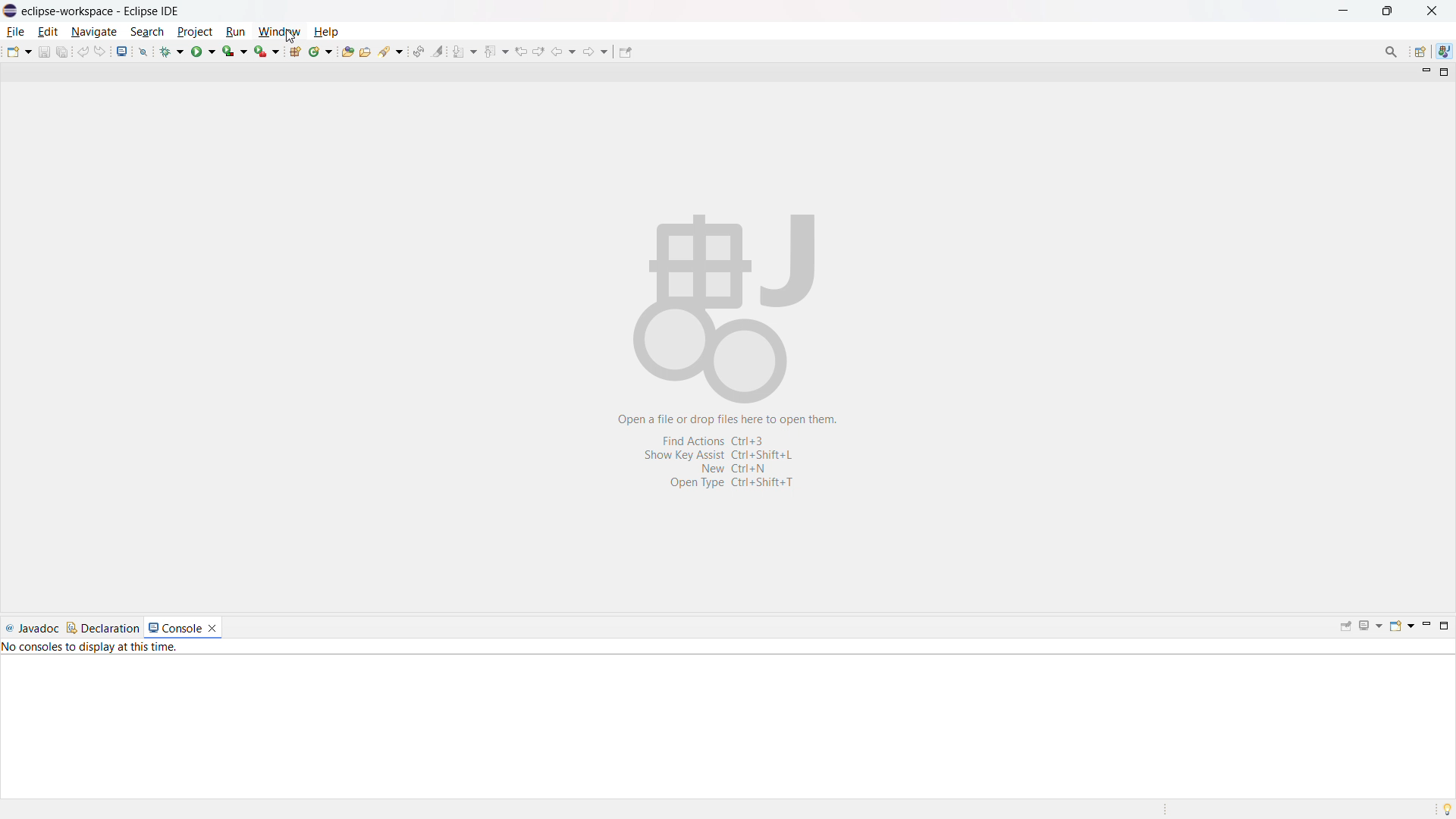 The image size is (1456, 819). I want to click on project, so click(196, 33).